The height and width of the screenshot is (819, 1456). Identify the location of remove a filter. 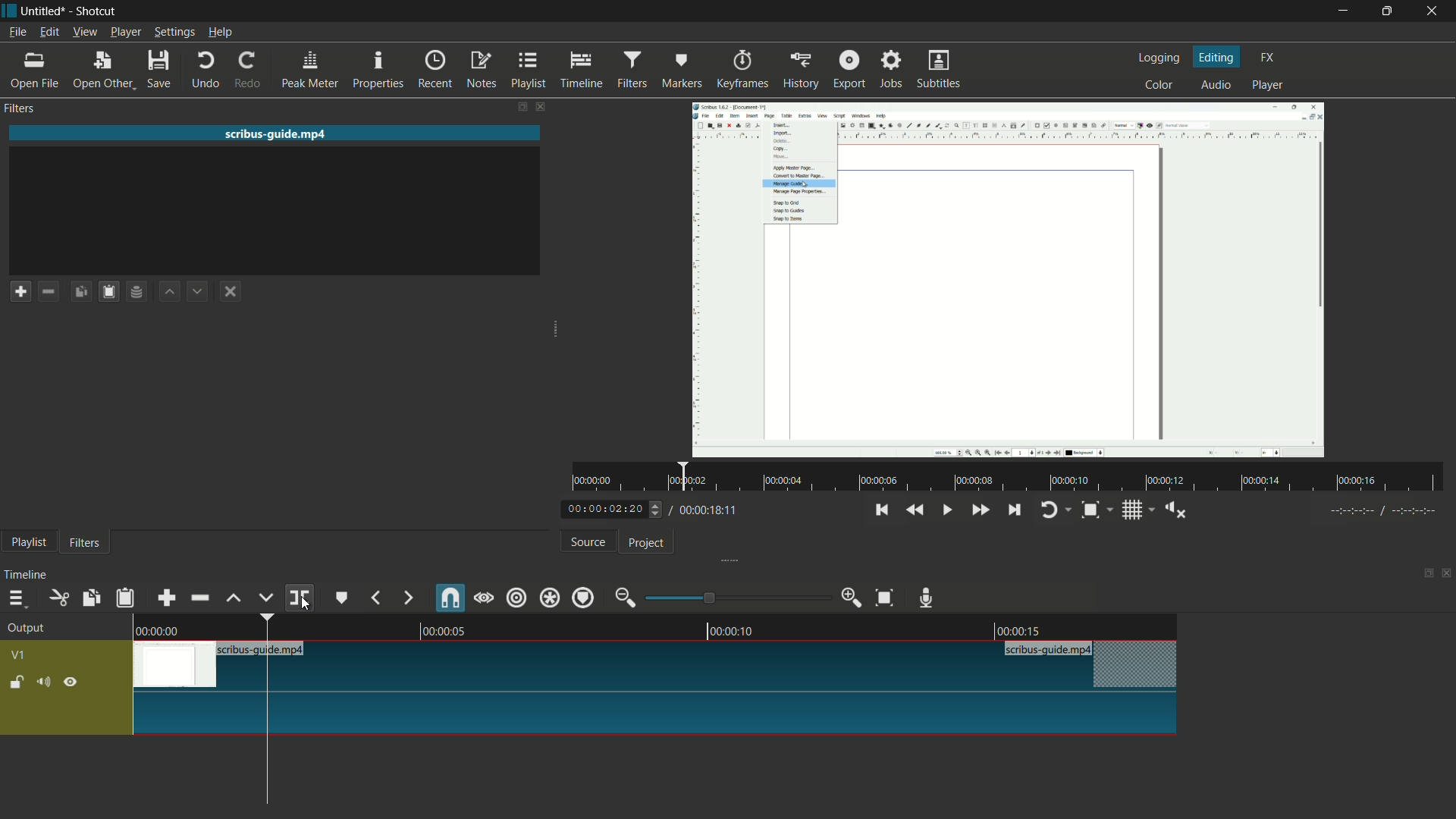
(49, 291).